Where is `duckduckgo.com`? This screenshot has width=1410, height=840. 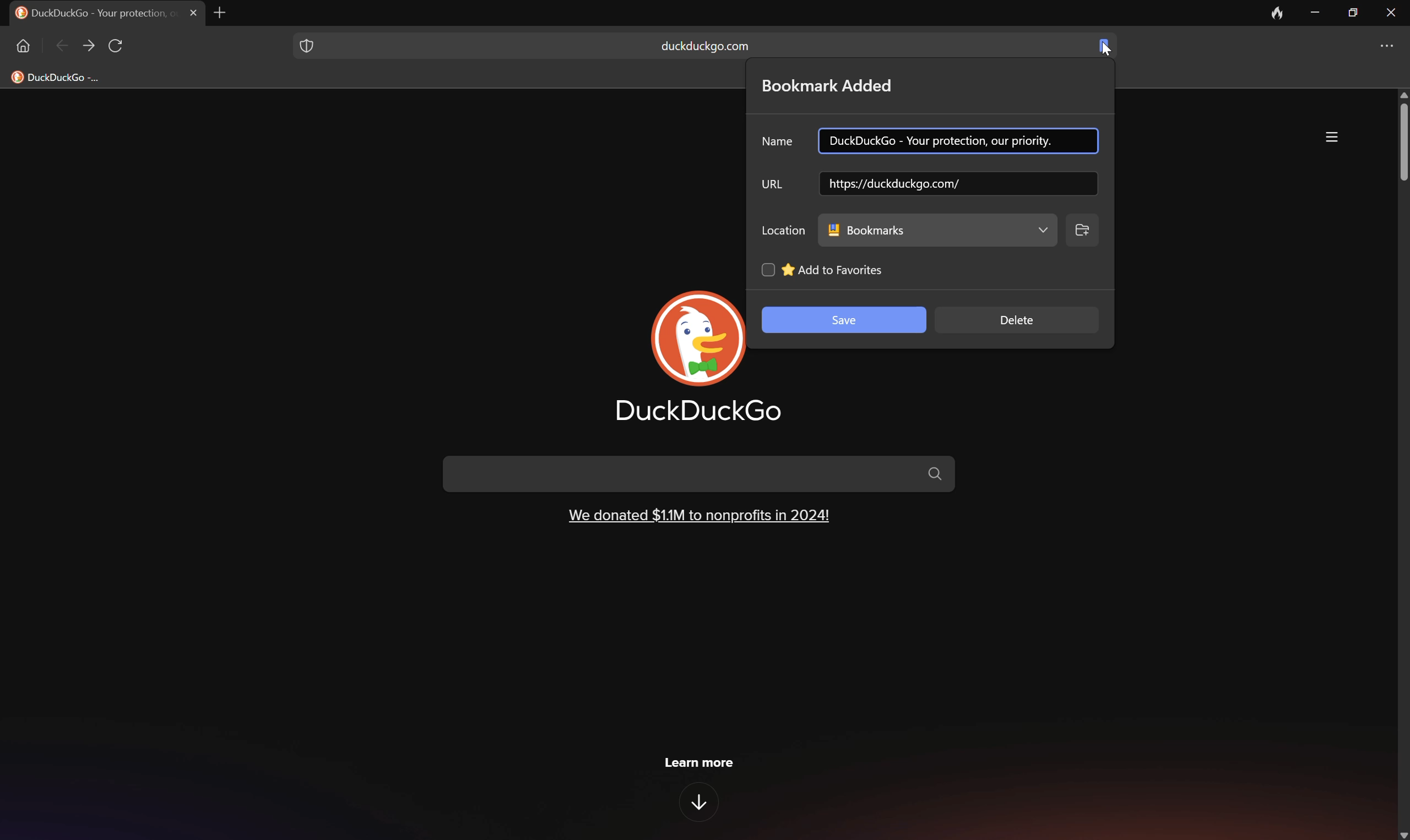 duckduckgo.com is located at coordinates (705, 46).